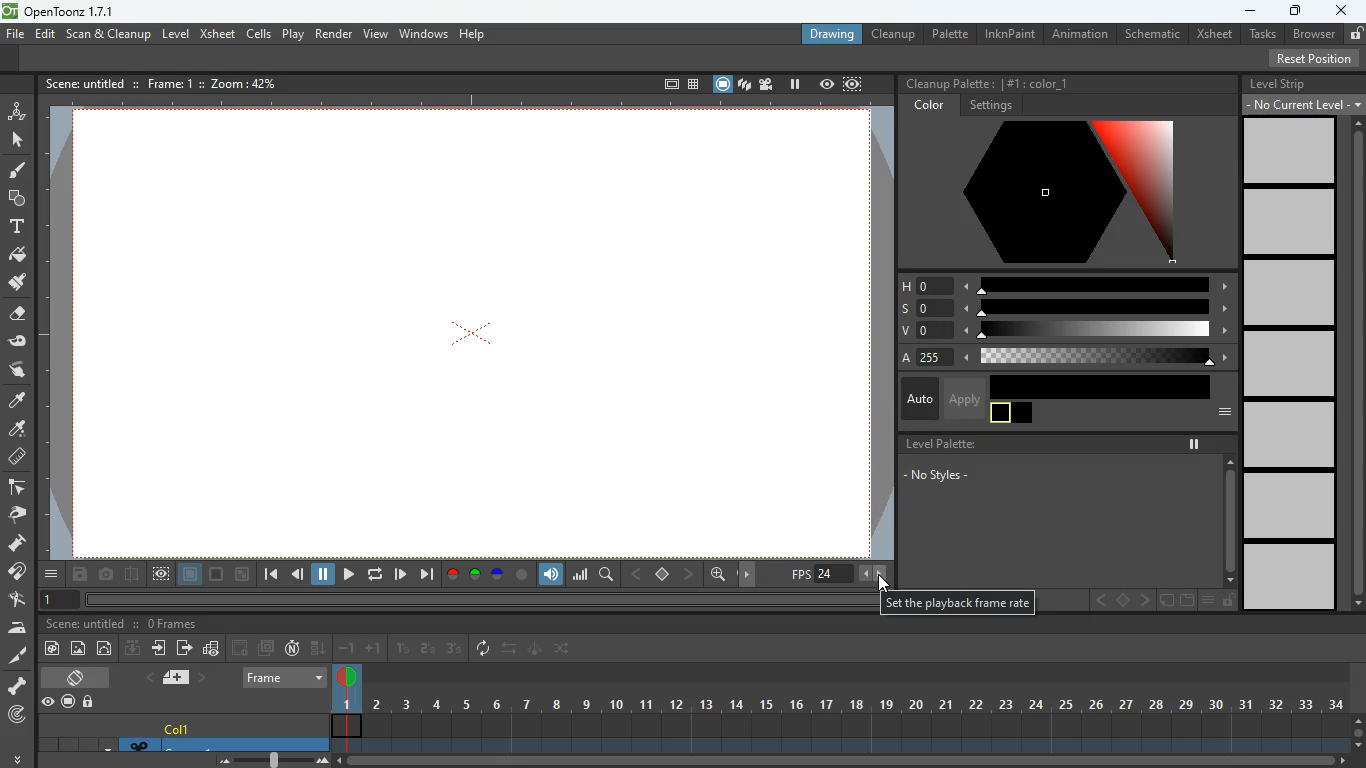  I want to click on level, so click(1291, 435).